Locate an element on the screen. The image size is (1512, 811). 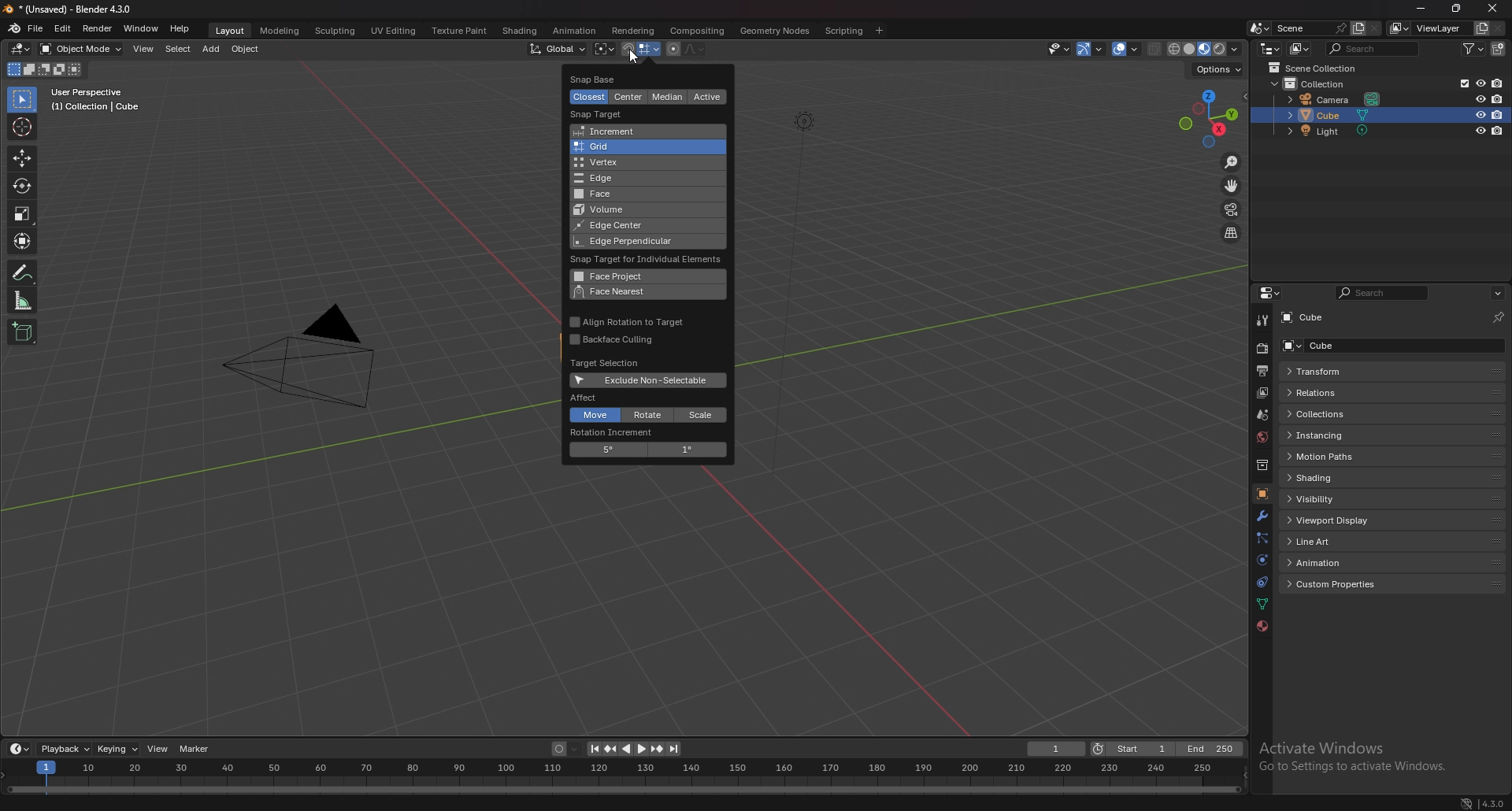
selector is located at coordinates (22, 99).